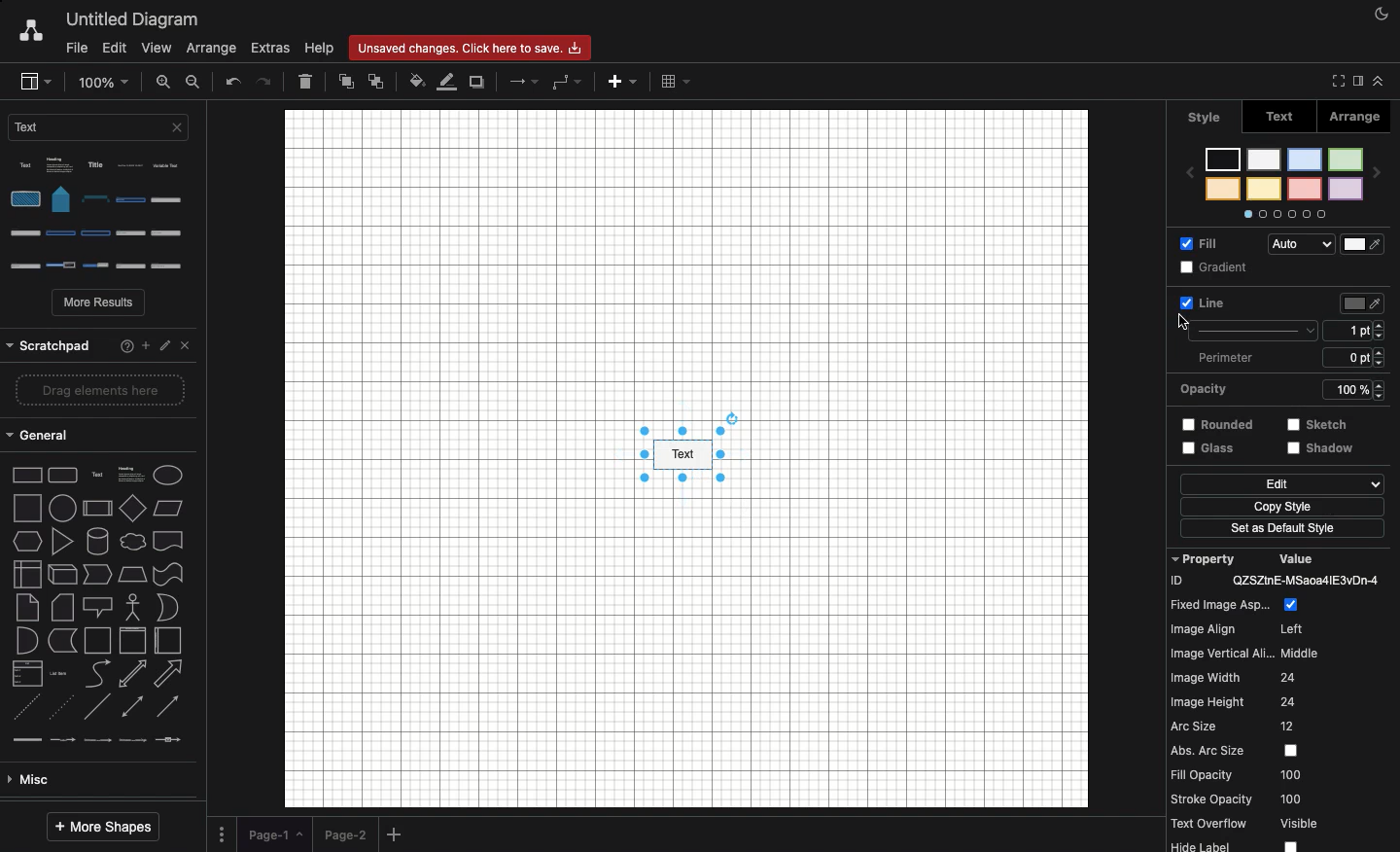 This screenshot has width=1400, height=852. I want to click on Fill color, so click(417, 83).